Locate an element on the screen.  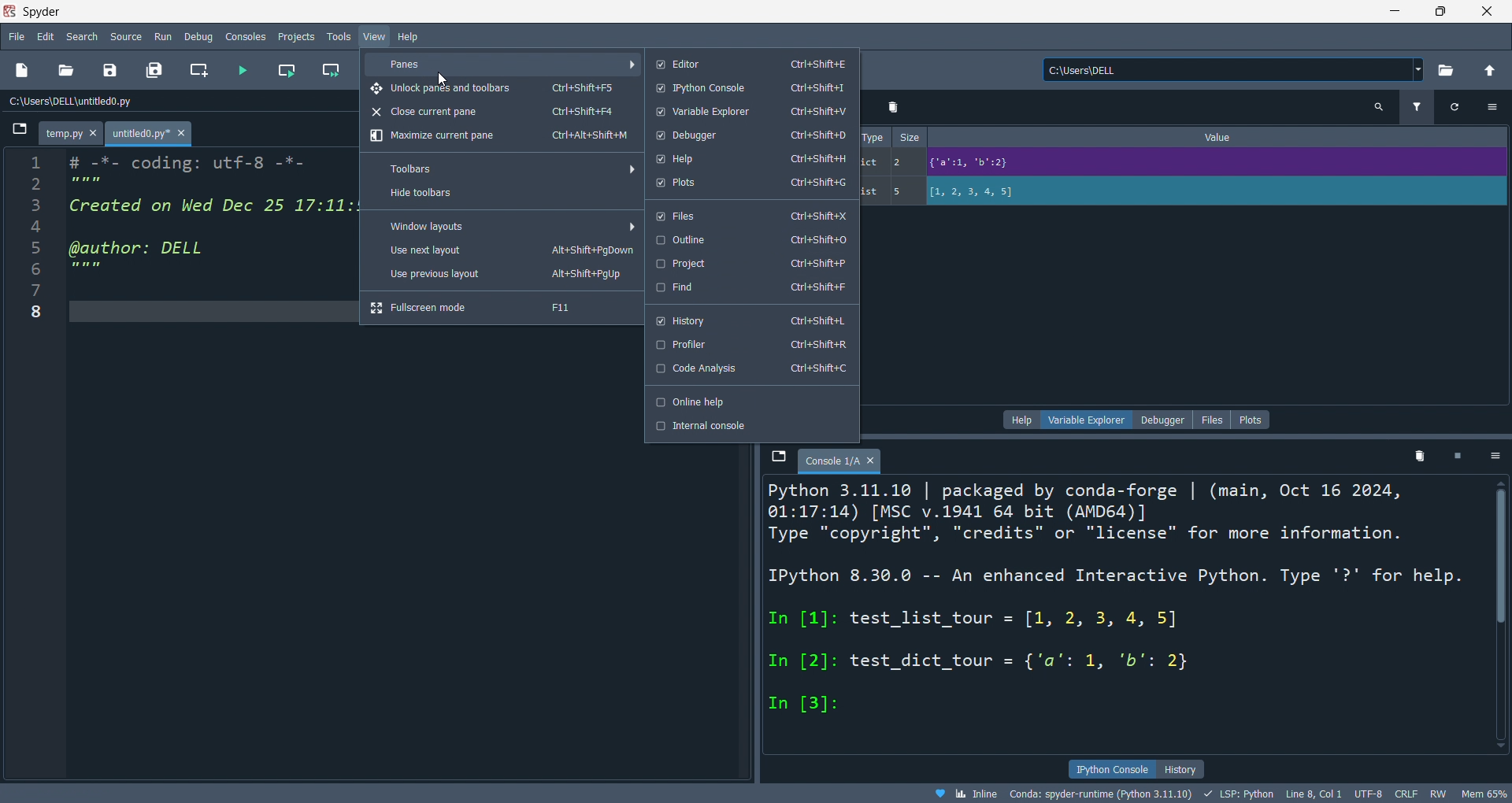
find is located at coordinates (752, 288).